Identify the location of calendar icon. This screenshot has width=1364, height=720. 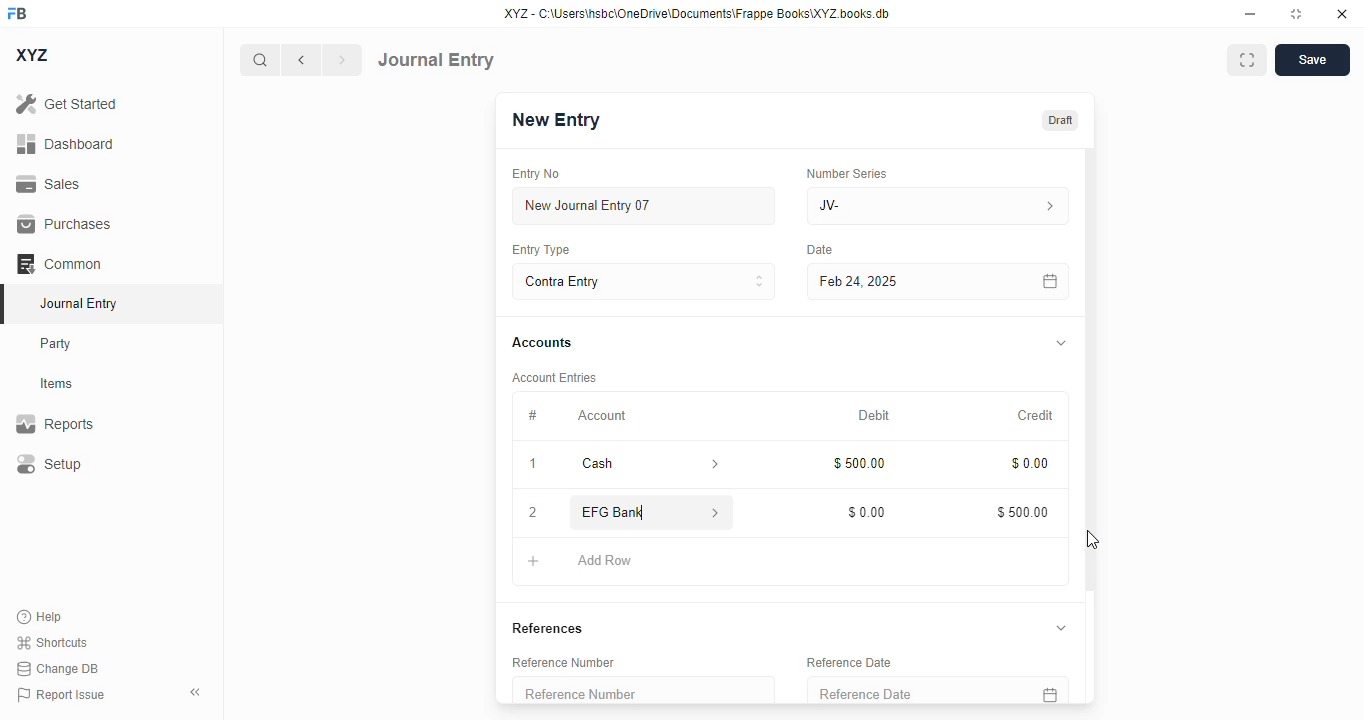
(1049, 691).